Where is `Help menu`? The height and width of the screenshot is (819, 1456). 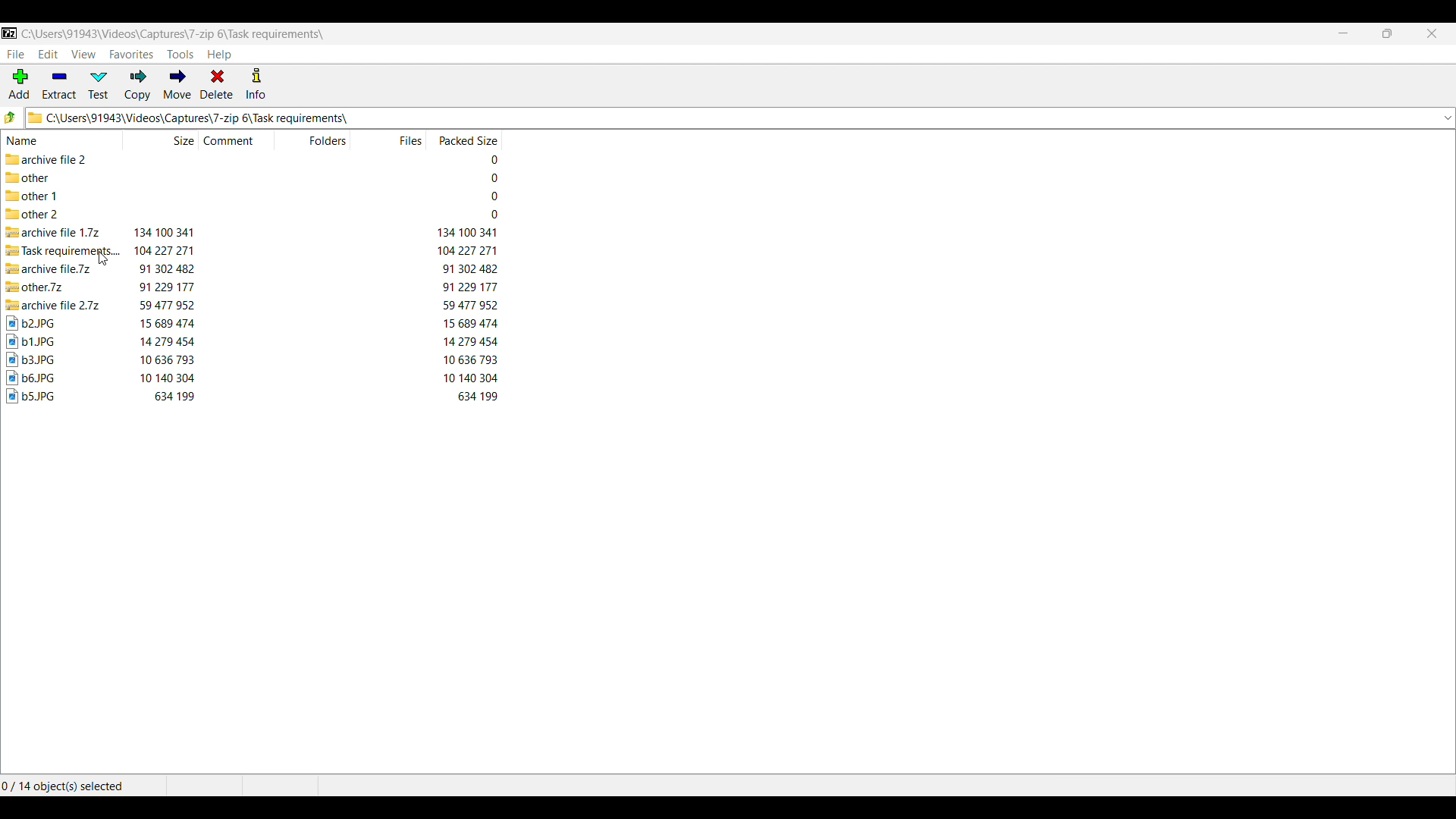
Help menu is located at coordinates (220, 55).